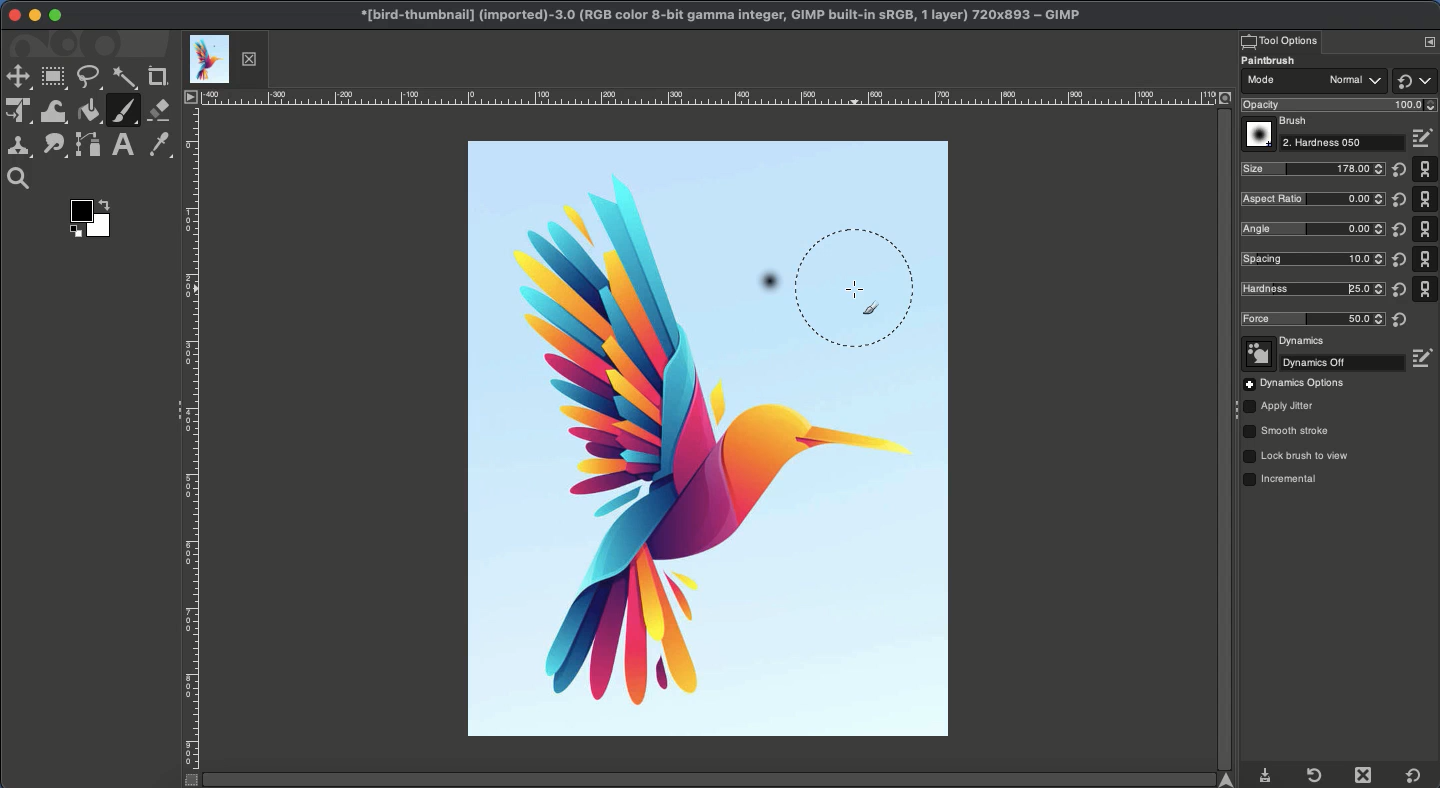  What do you see at coordinates (1279, 40) in the screenshot?
I see `Tool options` at bounding box center [1279, 40].